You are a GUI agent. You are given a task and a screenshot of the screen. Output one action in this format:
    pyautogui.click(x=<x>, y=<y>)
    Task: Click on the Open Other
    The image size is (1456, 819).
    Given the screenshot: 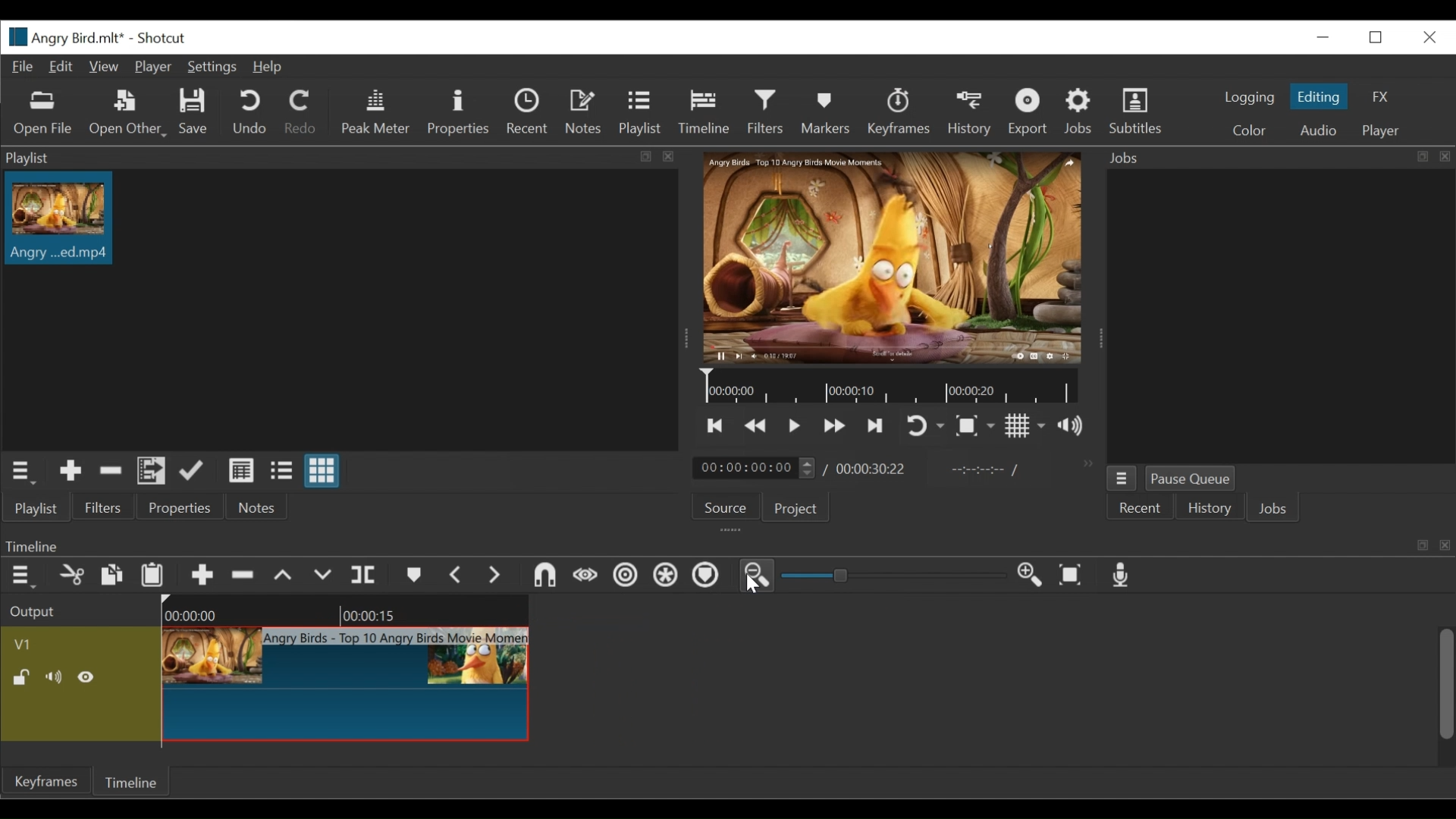 What is the action you would take?
    pyautogui.click(x=127, y=112)
    